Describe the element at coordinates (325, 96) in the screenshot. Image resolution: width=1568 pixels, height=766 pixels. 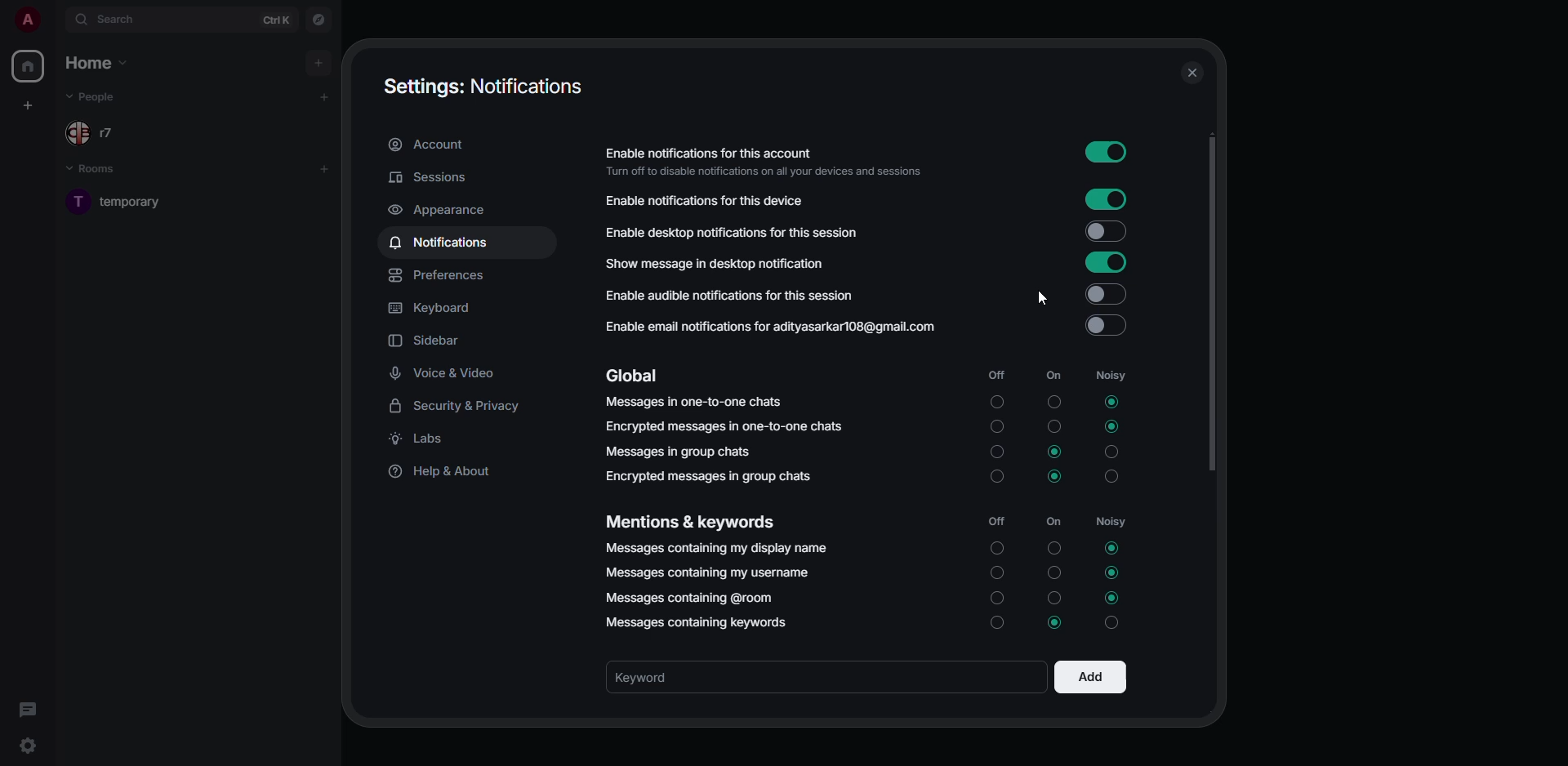
I see `add` at that location.